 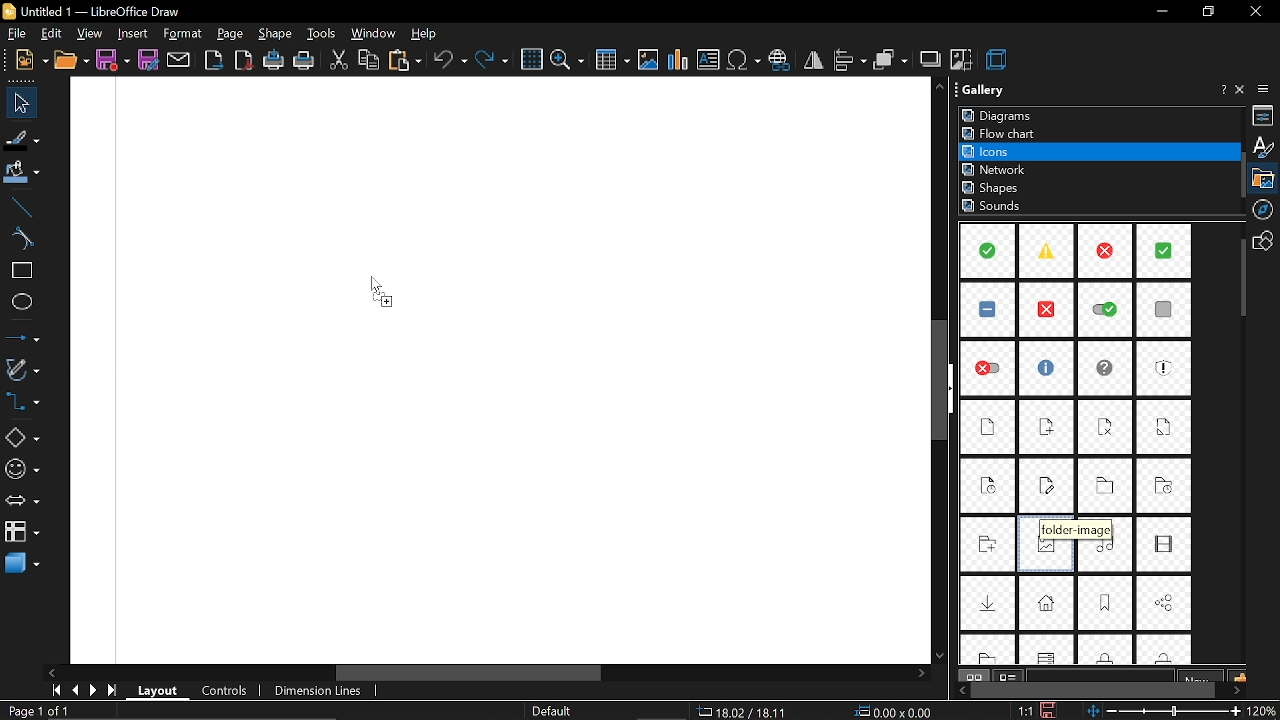 I want to click on 18.02/18.11, so click(x=746, y=712).